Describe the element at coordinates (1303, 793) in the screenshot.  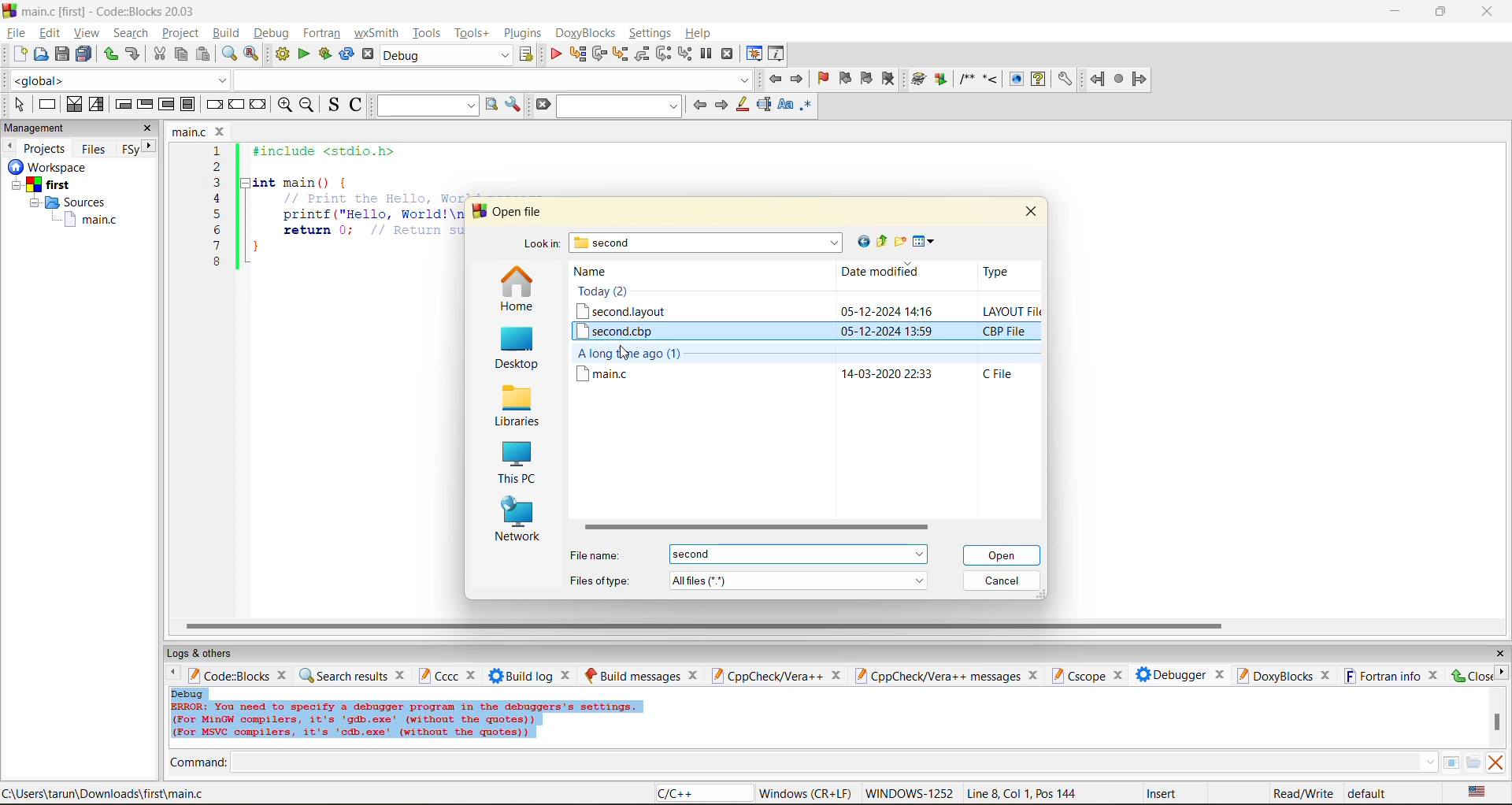
I see `read/write` at that location.